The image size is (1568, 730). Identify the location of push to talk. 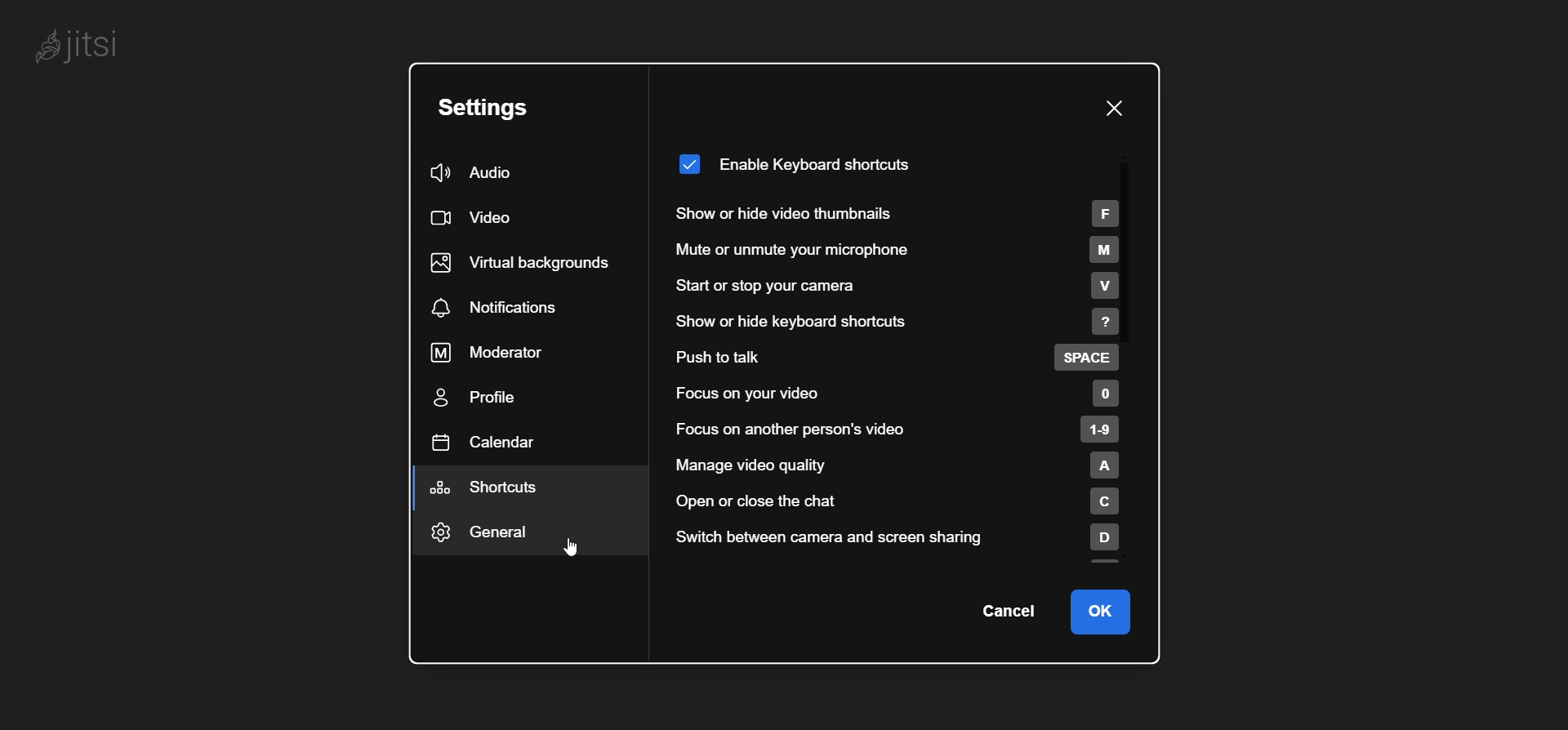
(900, 358).